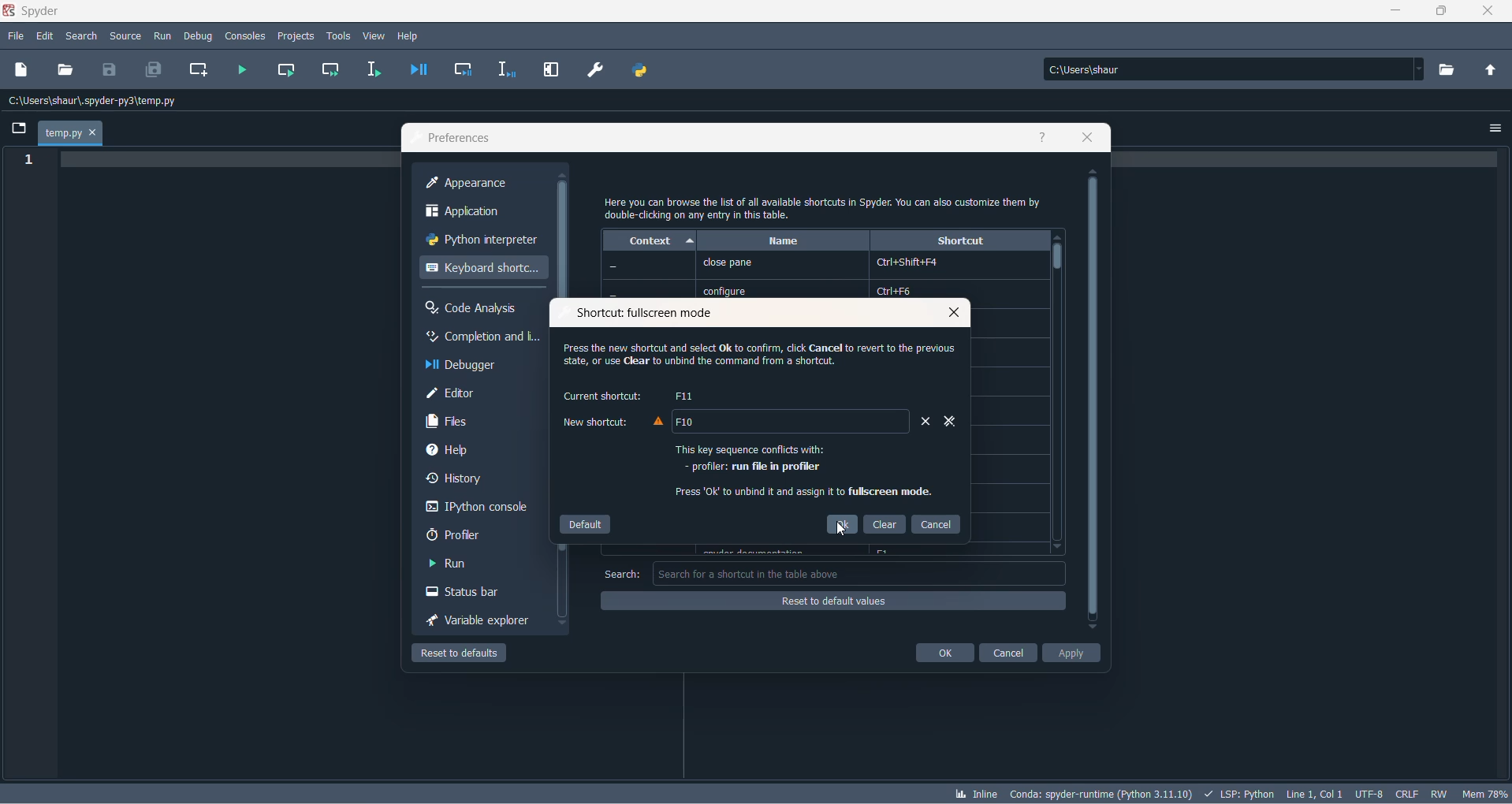  What do you see at coordinates (86, 37) in the screenshot?
I see `search` at bounding box center [86, 37].